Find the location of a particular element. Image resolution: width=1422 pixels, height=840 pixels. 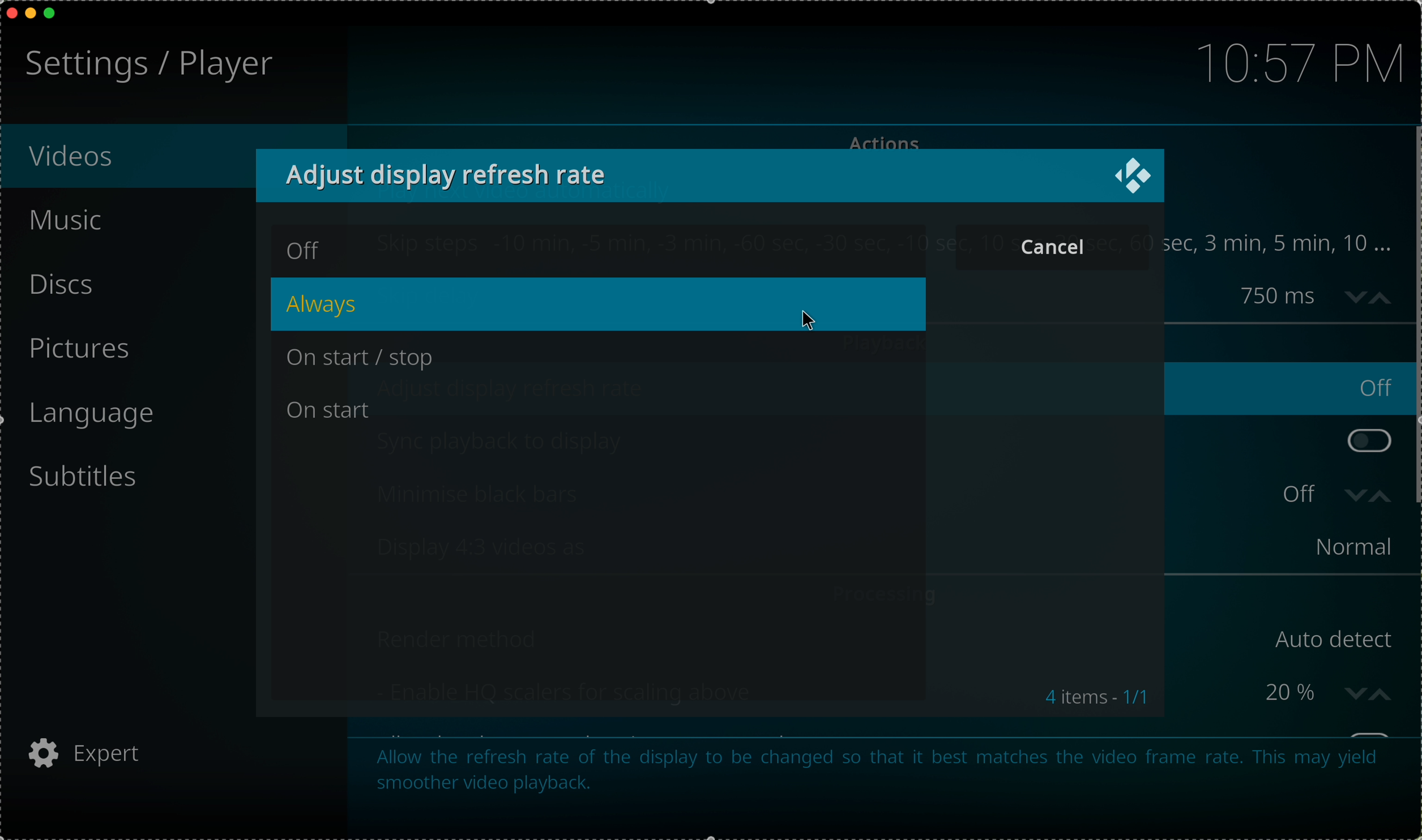

Settings/player is located at coordinates (145, 66).